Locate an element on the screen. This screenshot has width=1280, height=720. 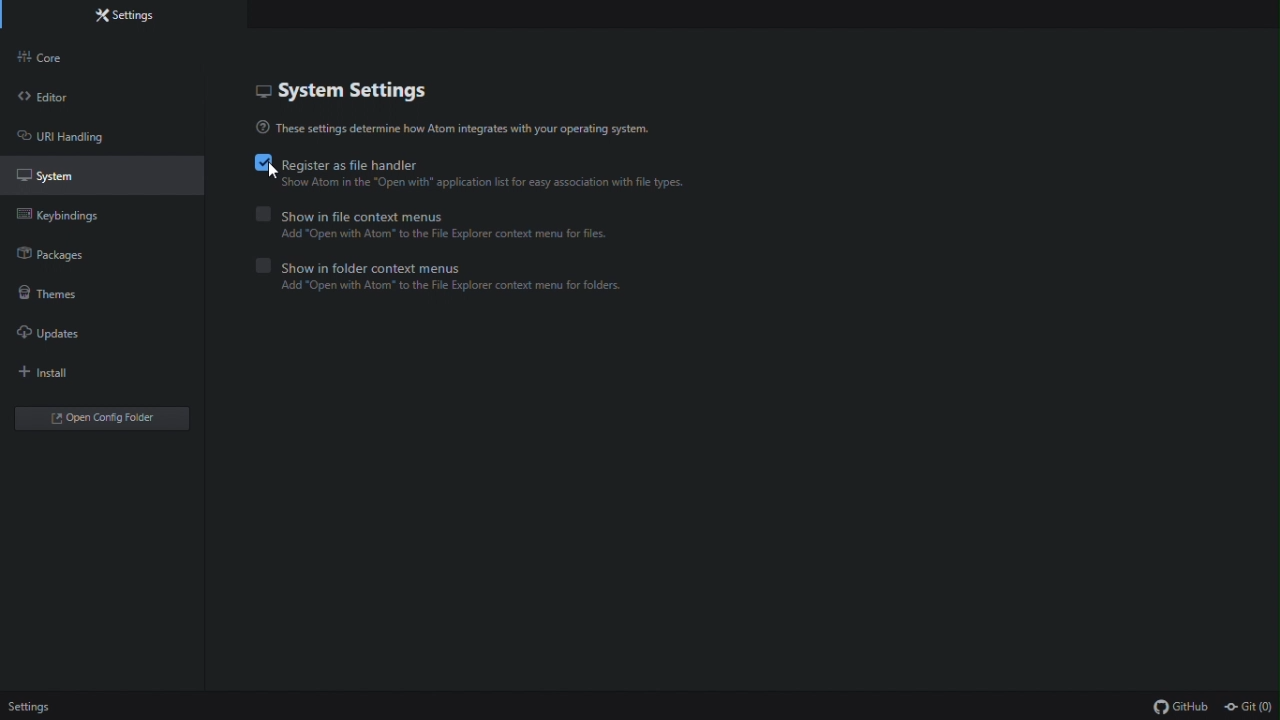
show in file content menus is located at coordinates (442, 214).